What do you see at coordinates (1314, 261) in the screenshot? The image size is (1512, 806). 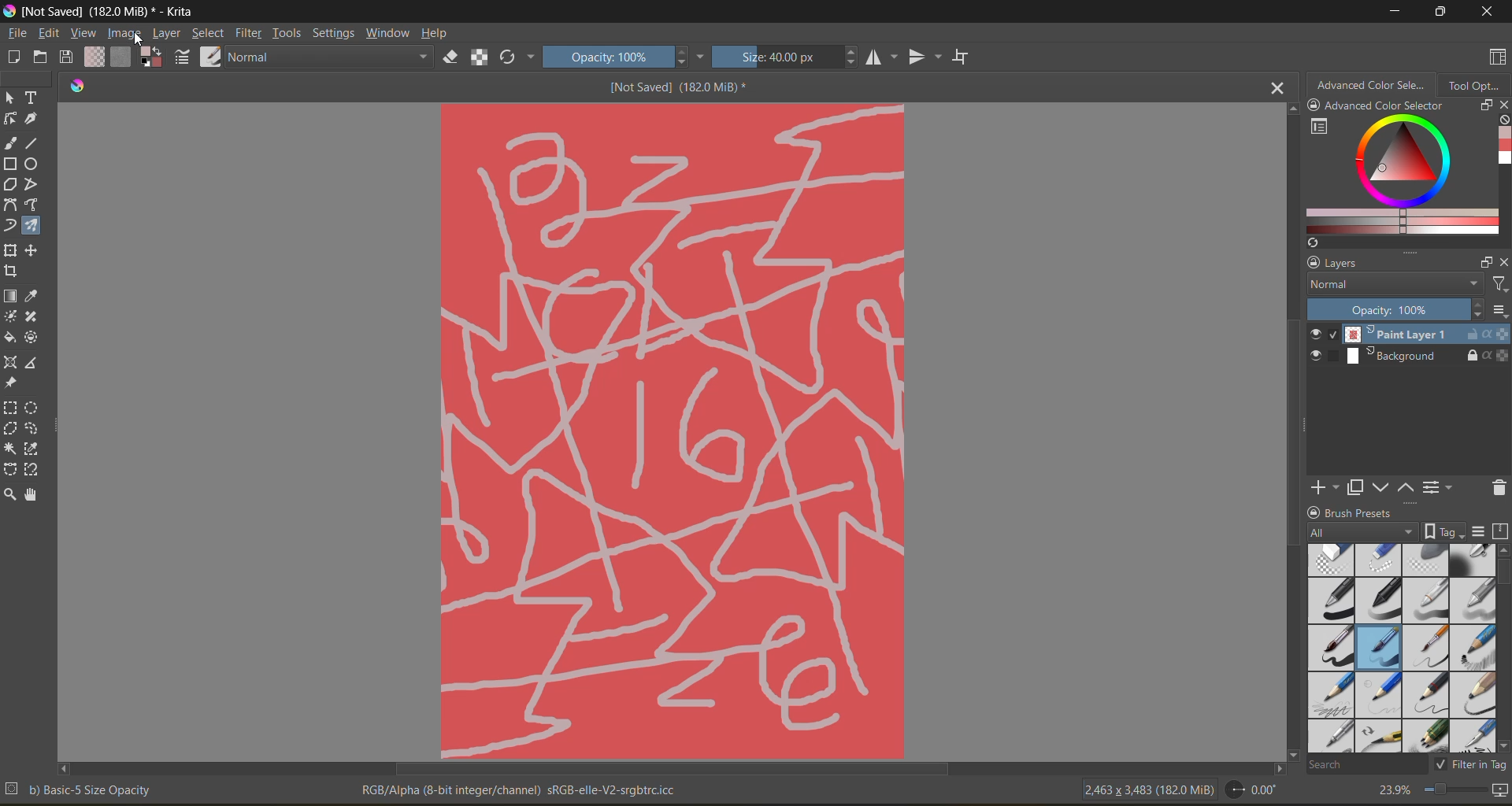 I see `lock docker` at bounding box center [1314, 261].